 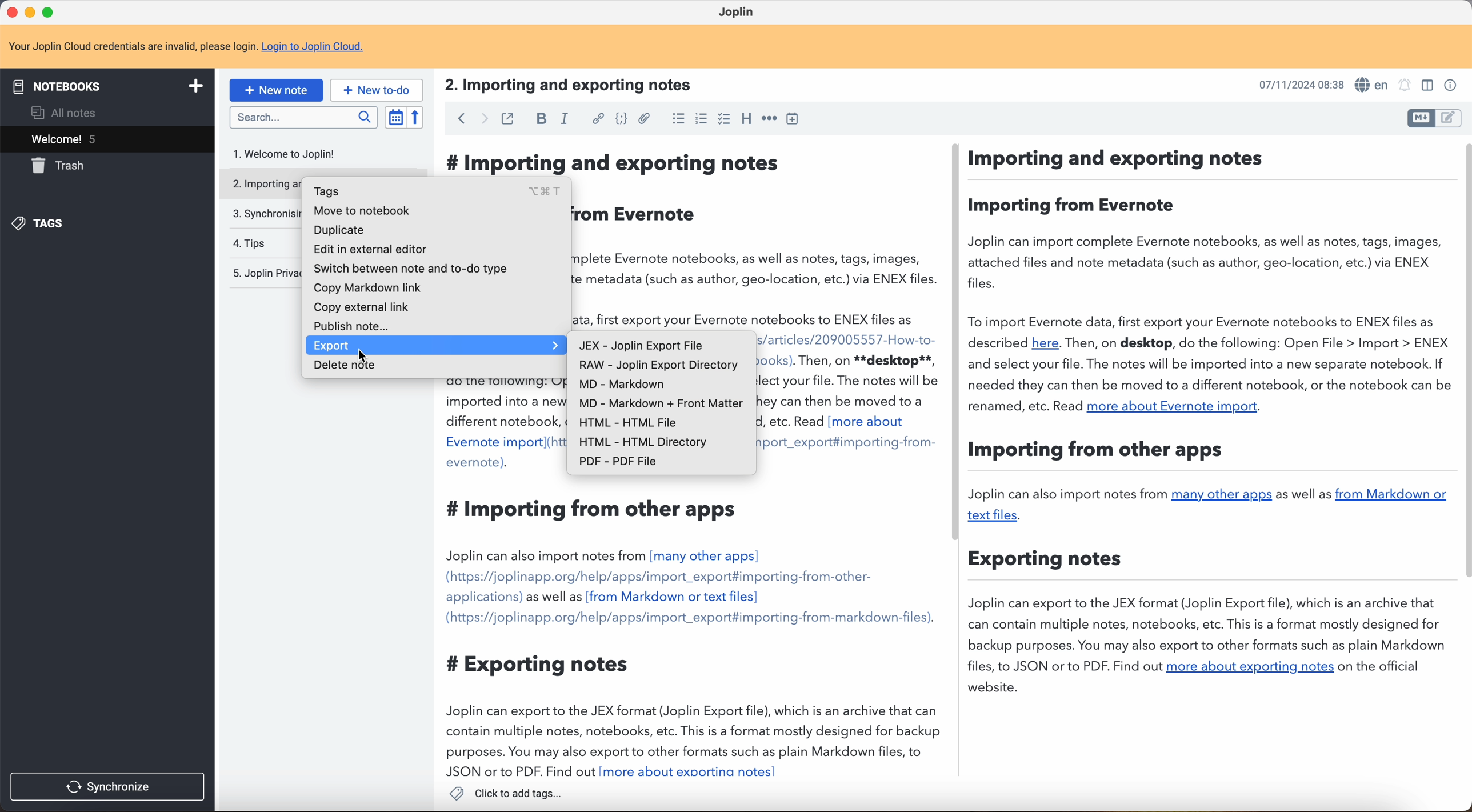 What do you see at coordinates (264, 273) in the screenshot?
I see `Joplin privacy policy` at bounding box center [264, 273].